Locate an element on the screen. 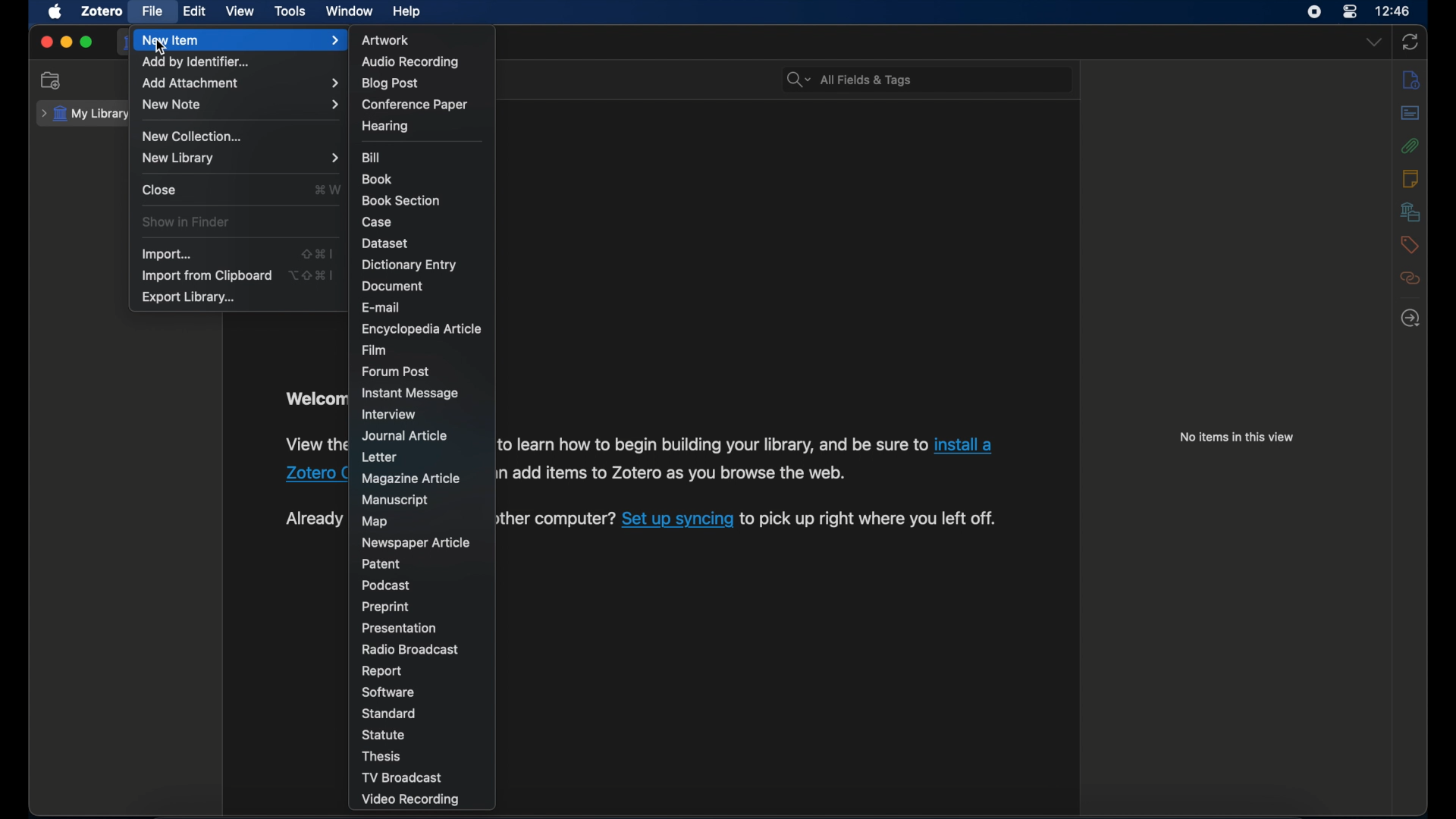 The width and height of the screenshot is (1456, 819). close is located at coordinates (159, 189).